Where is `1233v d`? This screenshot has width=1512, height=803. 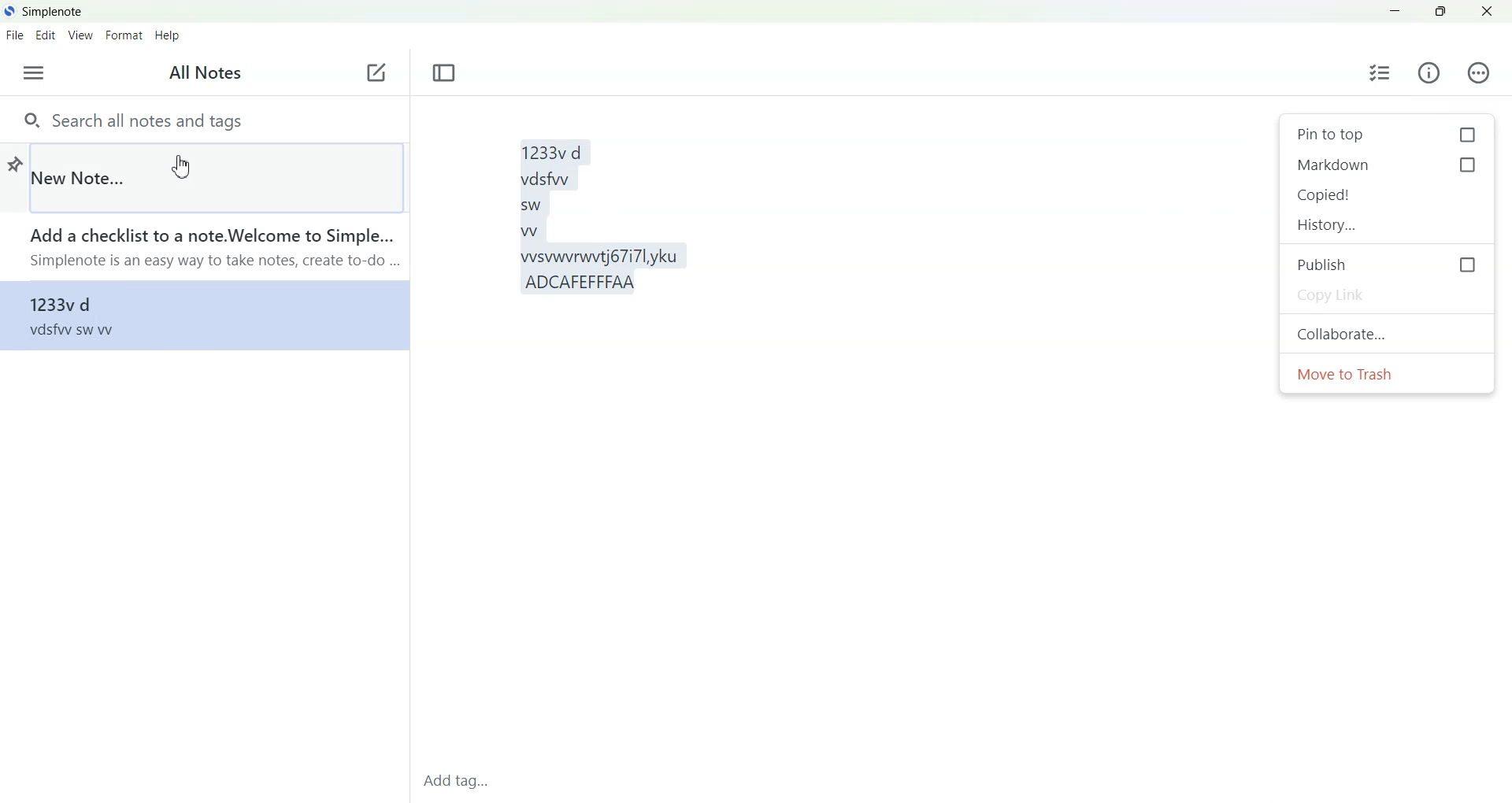 1233v d is located at coordinates (202, 315).